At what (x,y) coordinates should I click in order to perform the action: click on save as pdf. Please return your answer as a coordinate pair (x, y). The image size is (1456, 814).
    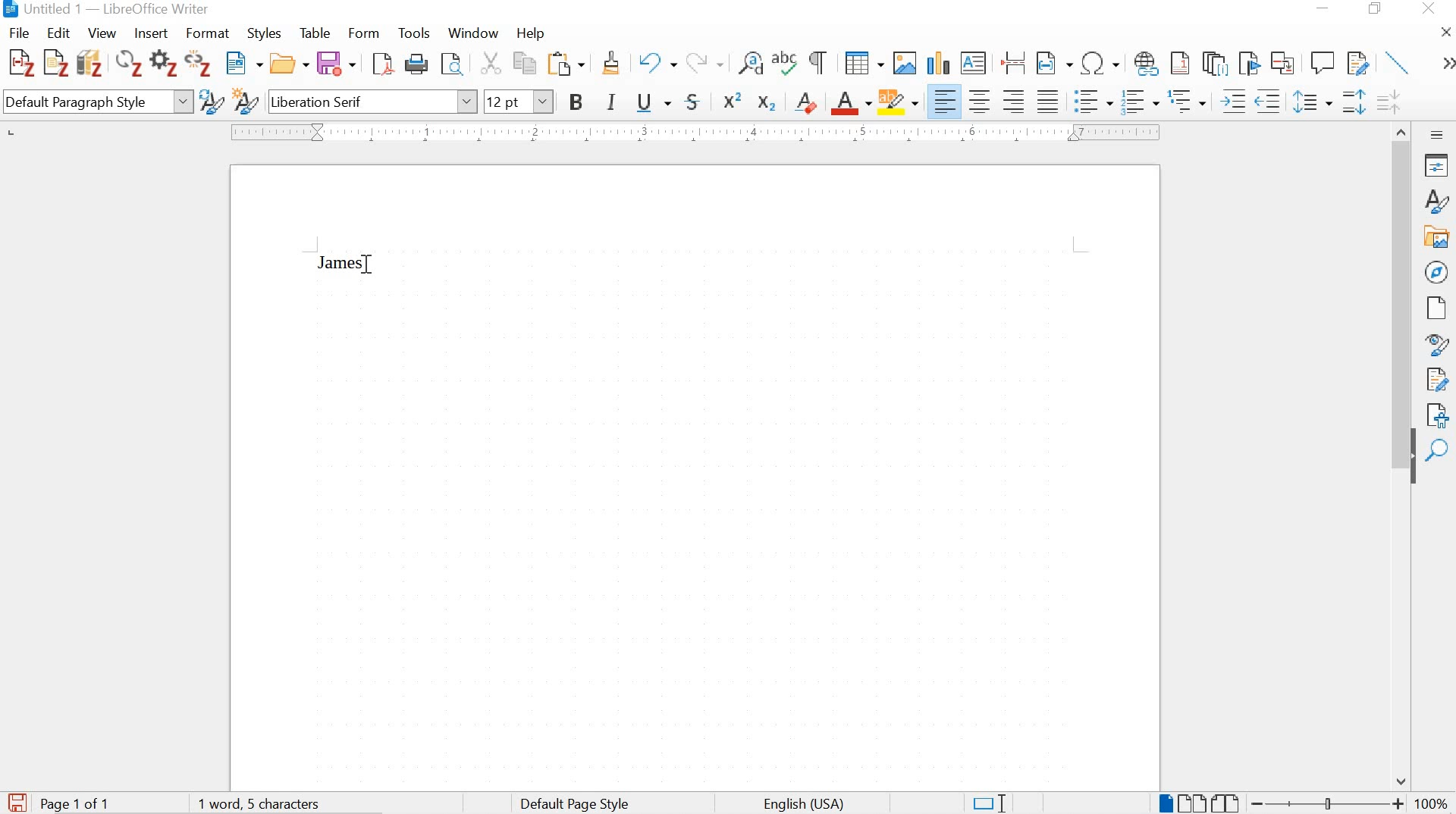
    Looking at the image, I should click on (382, 65).